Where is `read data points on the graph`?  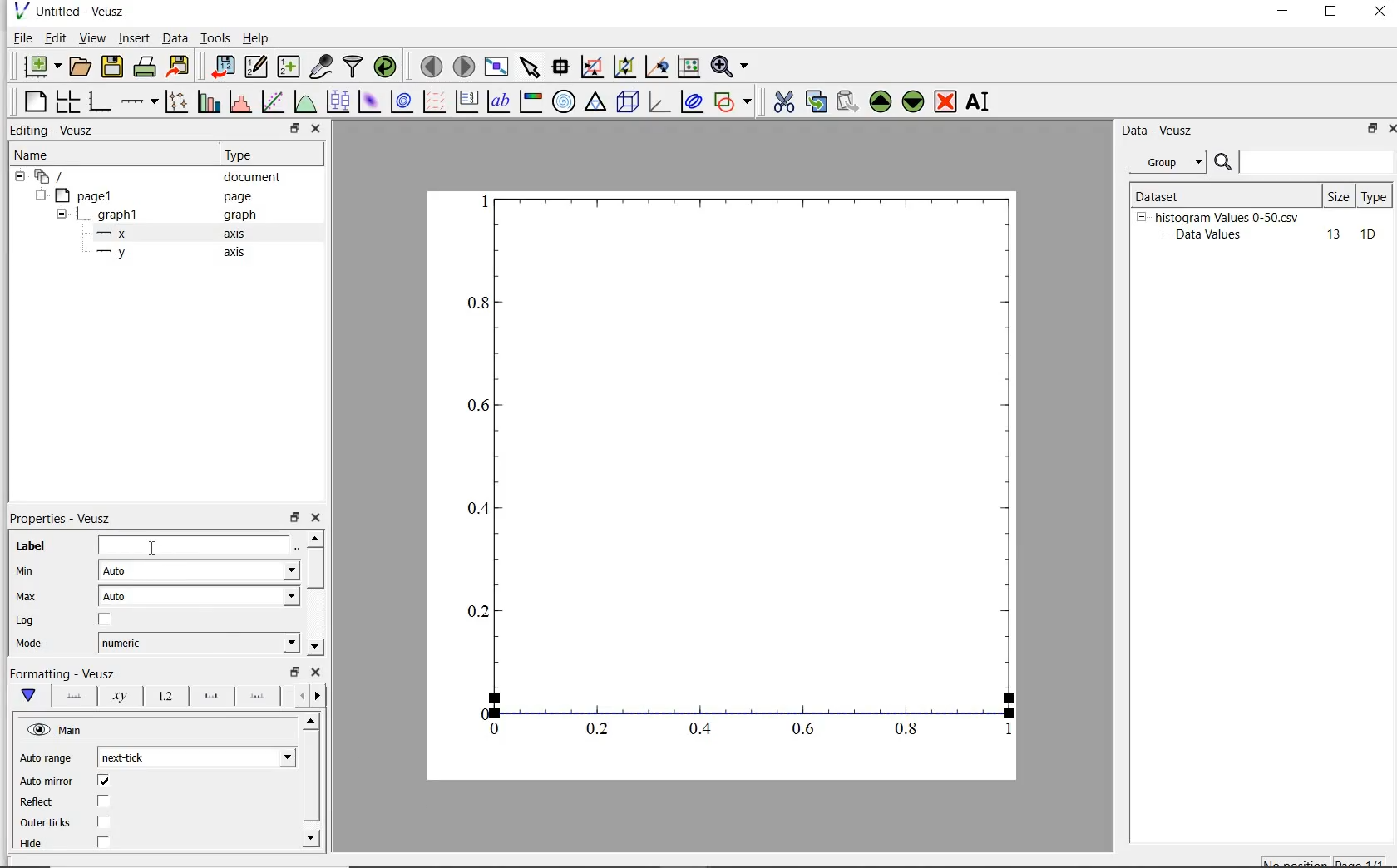
read data points on the graph is located at coordinates (562, 67).